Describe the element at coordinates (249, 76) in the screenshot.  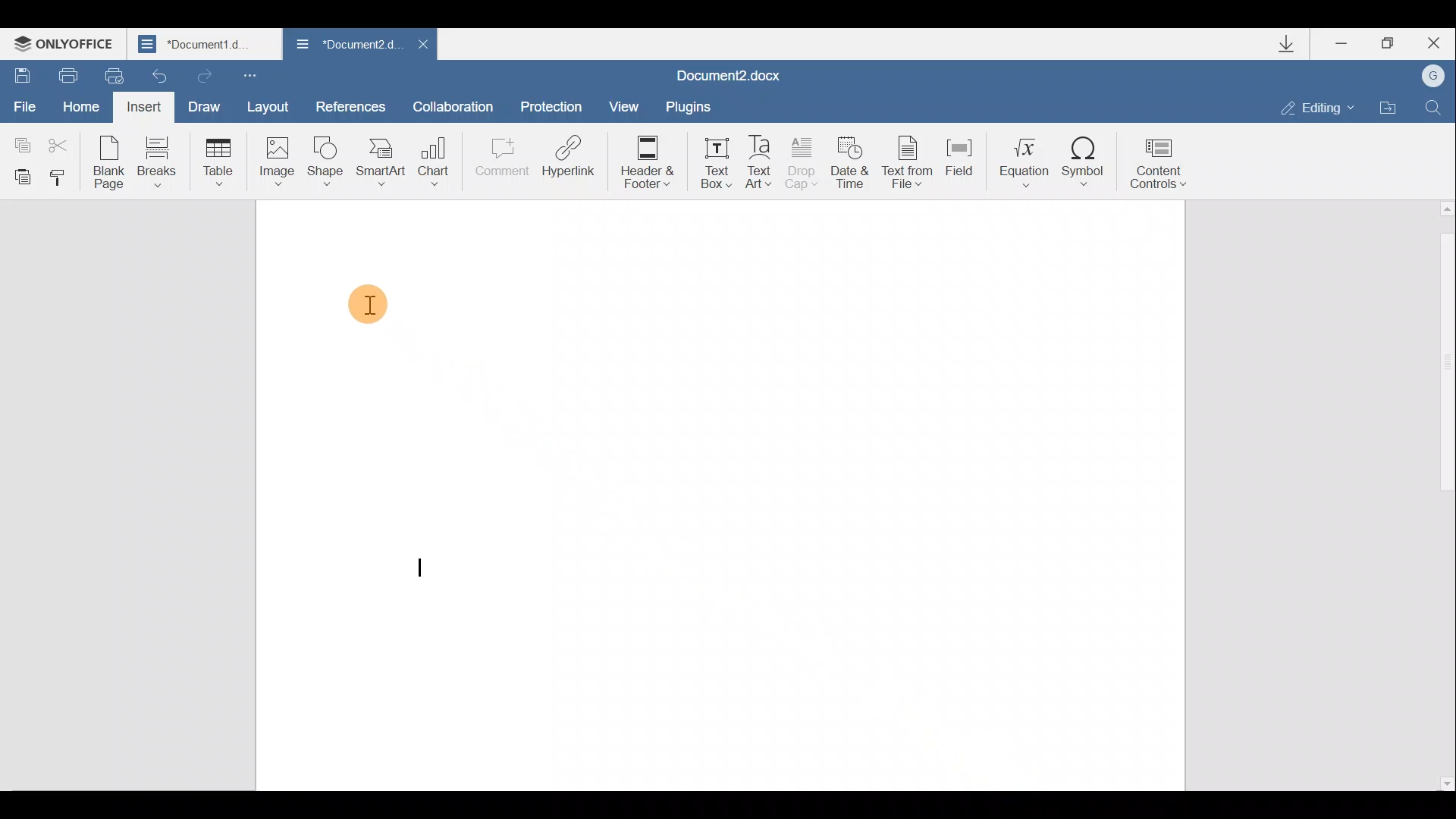
I see `Customize quick access toolbar` at that location.